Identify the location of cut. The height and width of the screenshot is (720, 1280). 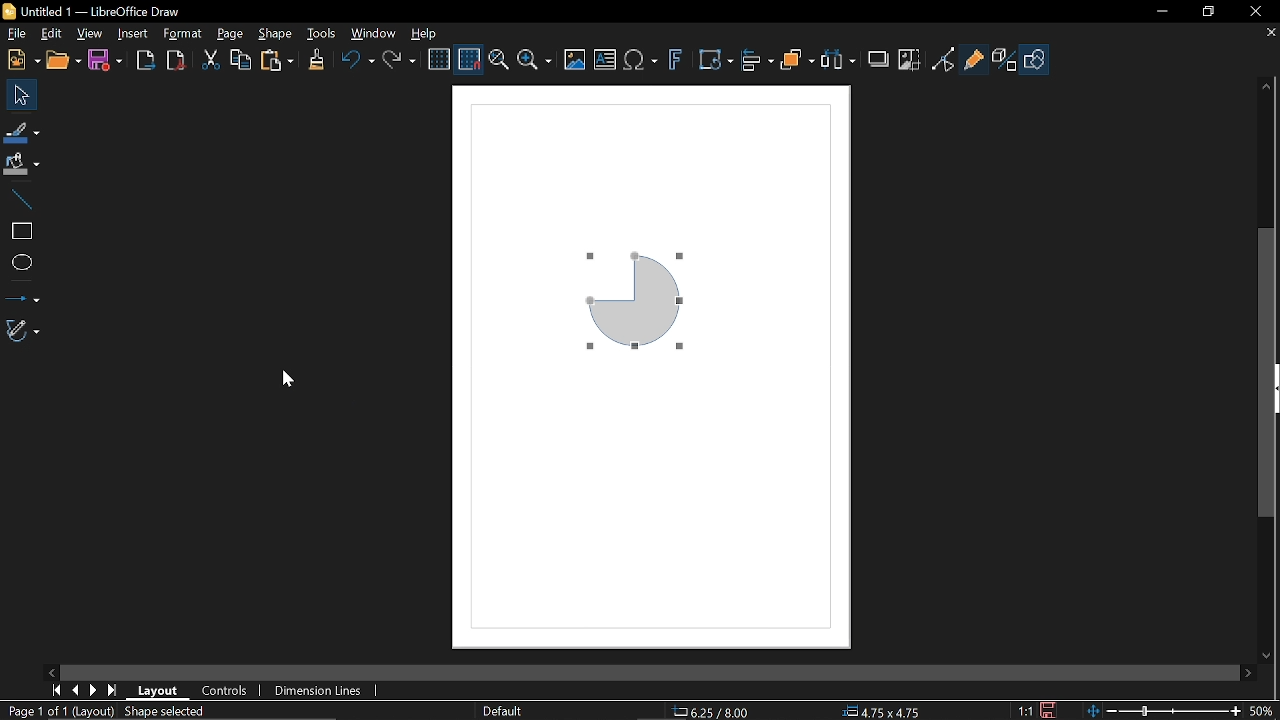
(207, 60).